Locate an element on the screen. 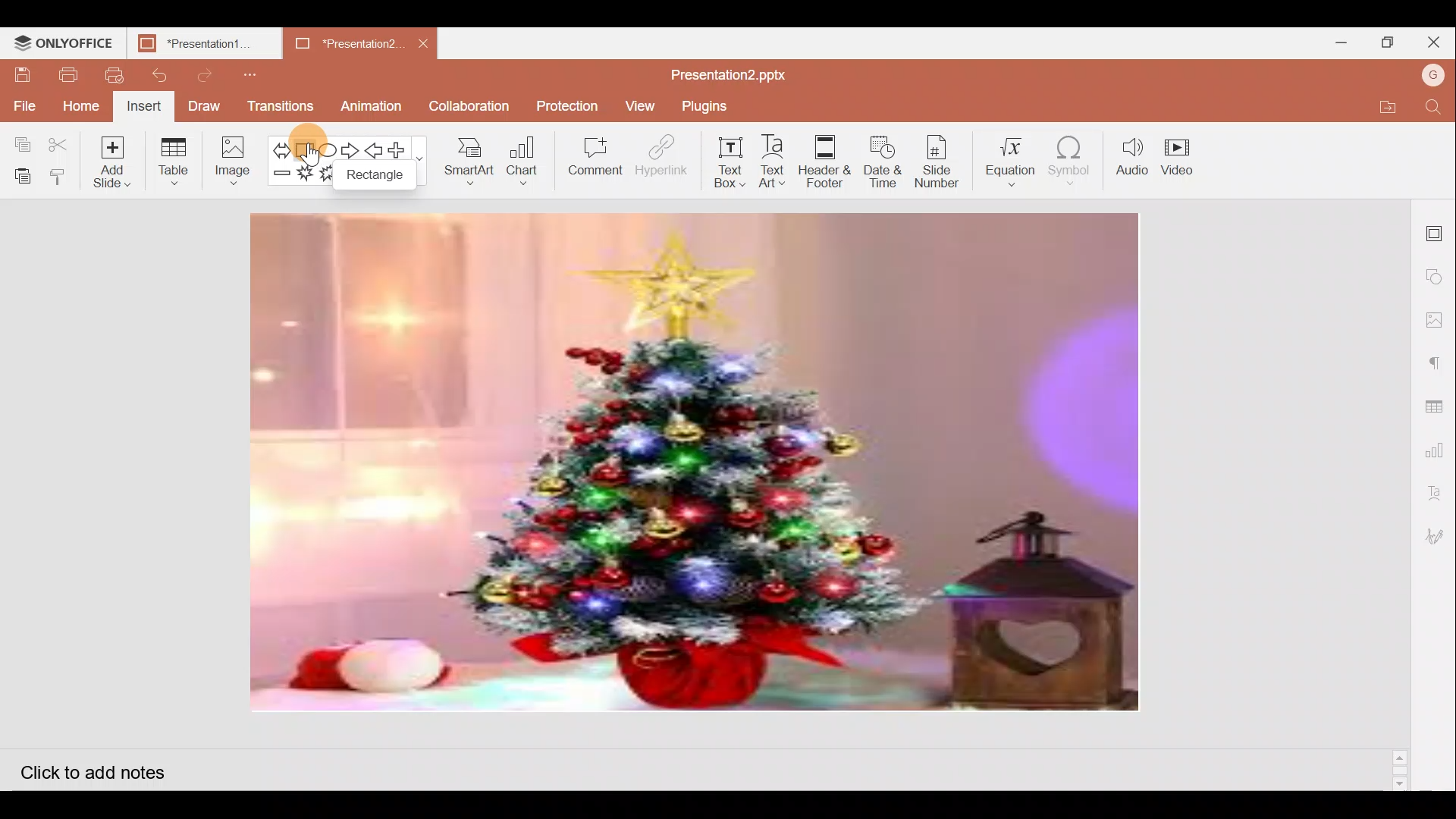  Table is located at coordinates (177, 162).